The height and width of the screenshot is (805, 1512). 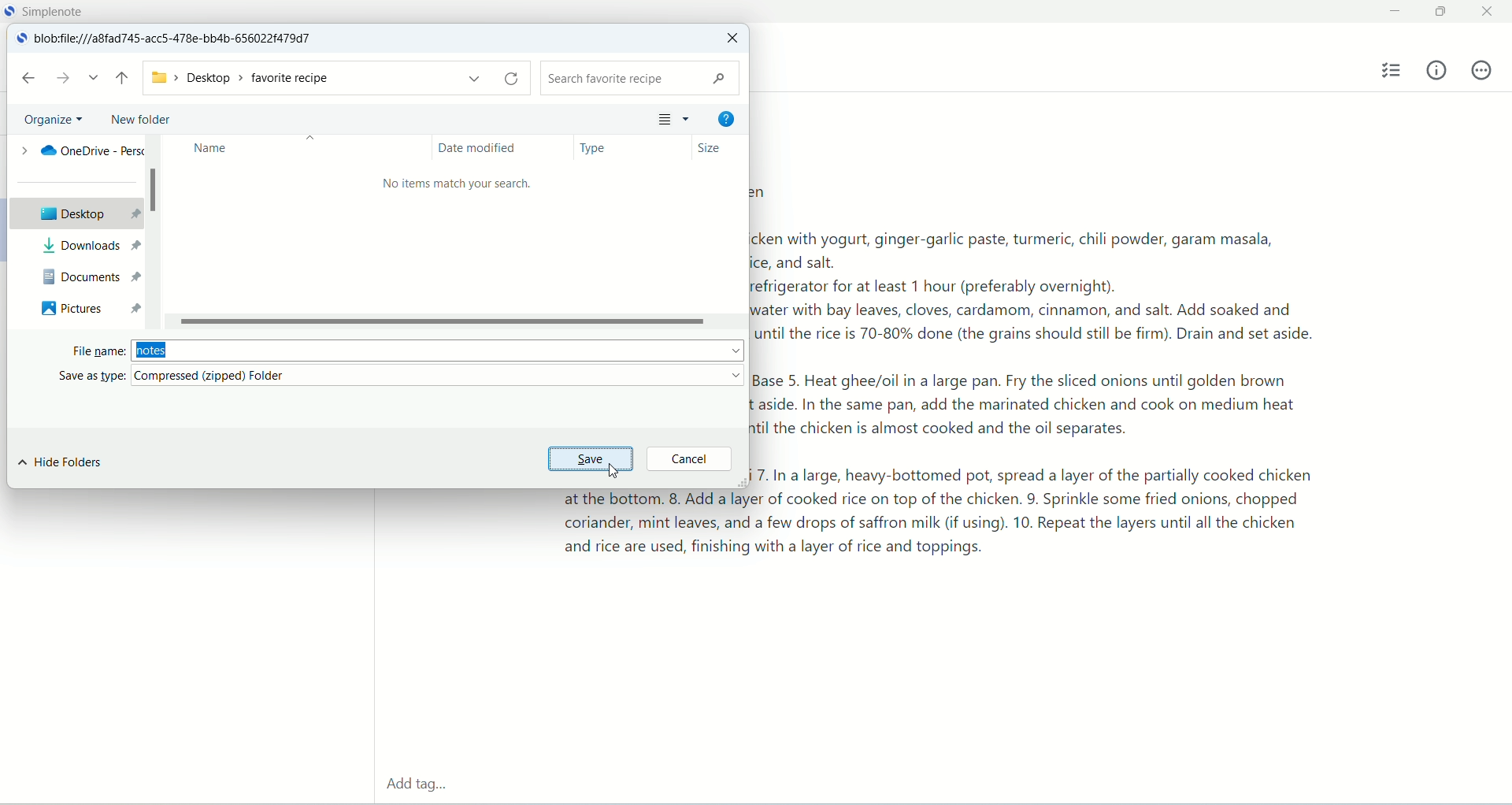 What do you see at coordinates (61, 463) in the screenshot?
I see `hide folders` at bounding box center [61, 463].